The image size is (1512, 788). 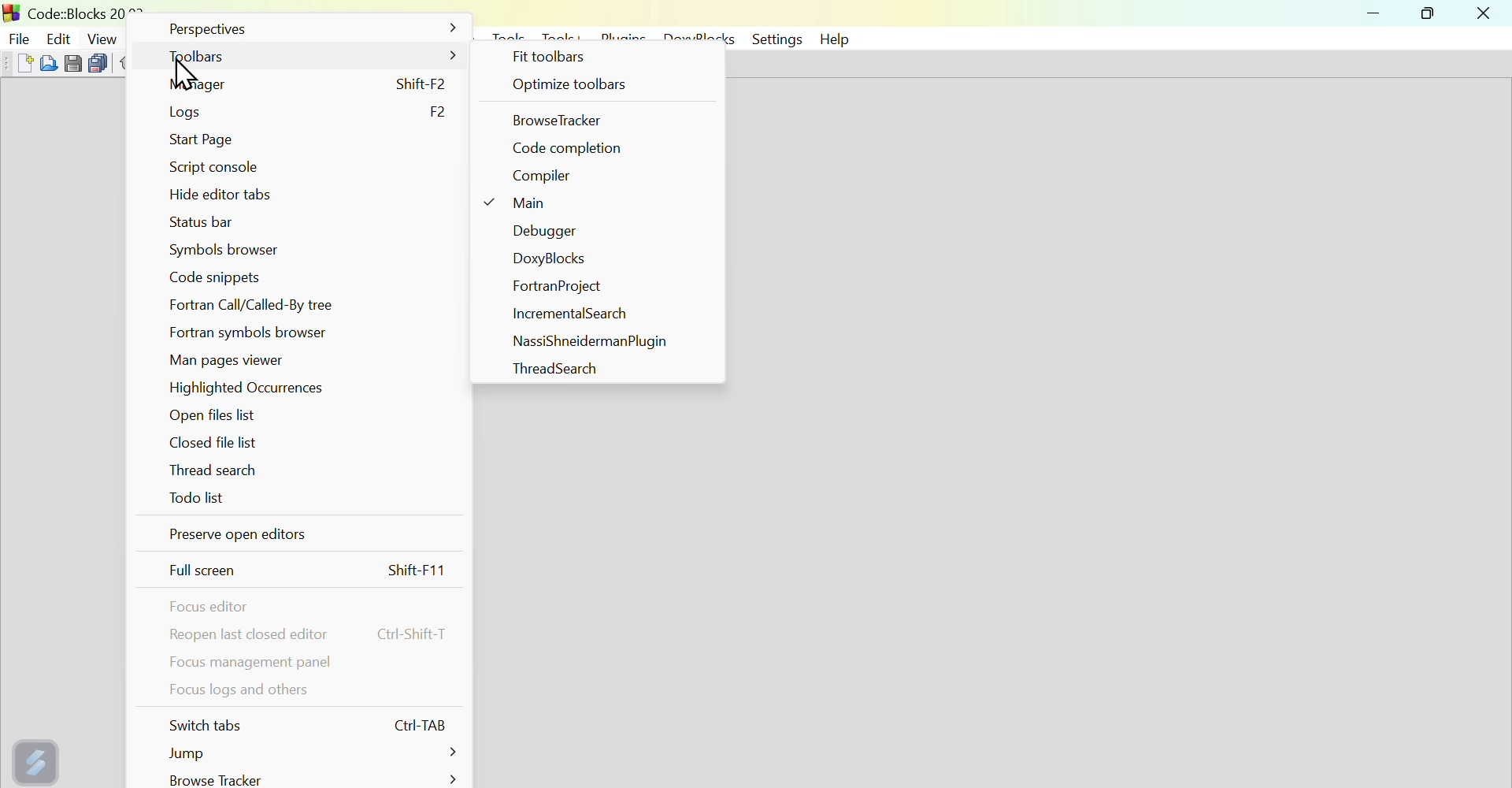 I want to click on Switch tabs, so click(x=311, y=725).